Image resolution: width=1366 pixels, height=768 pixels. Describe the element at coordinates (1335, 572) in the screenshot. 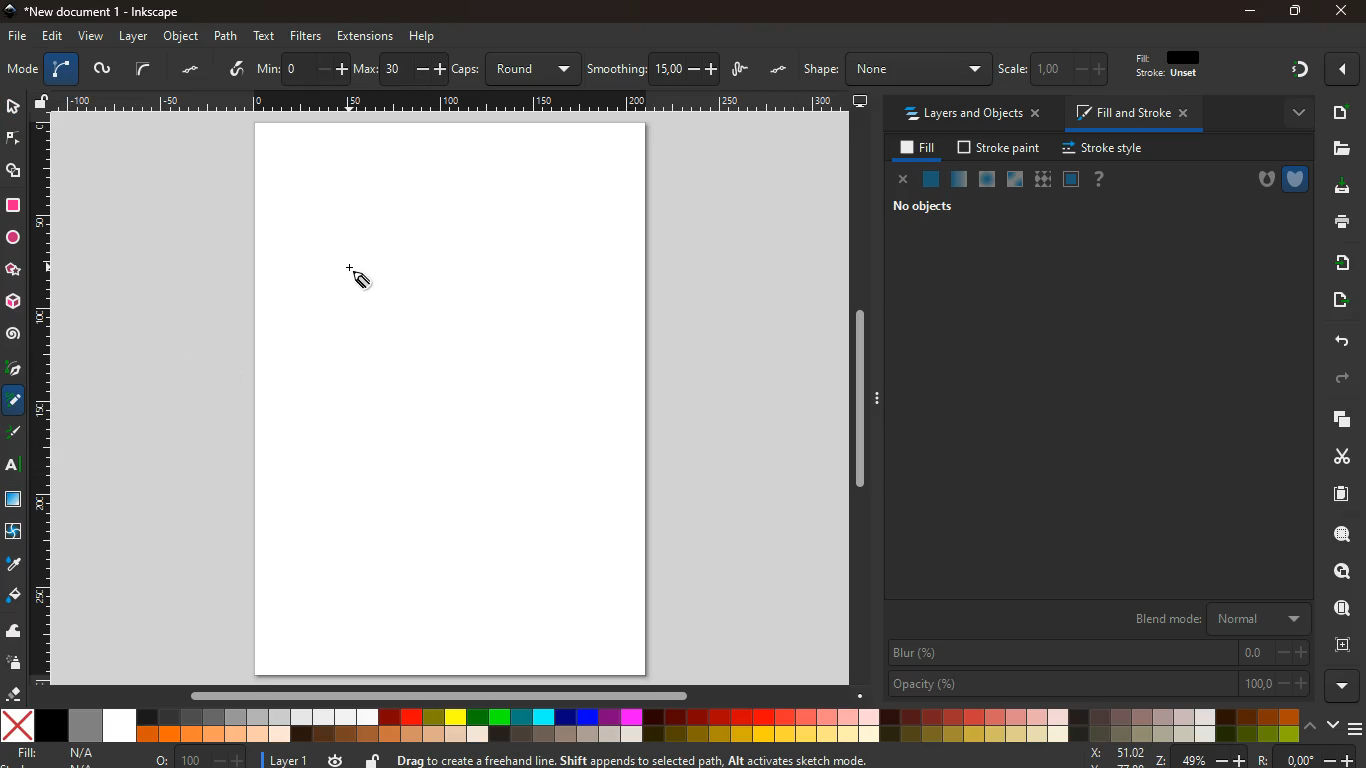

I see `find` at that location.